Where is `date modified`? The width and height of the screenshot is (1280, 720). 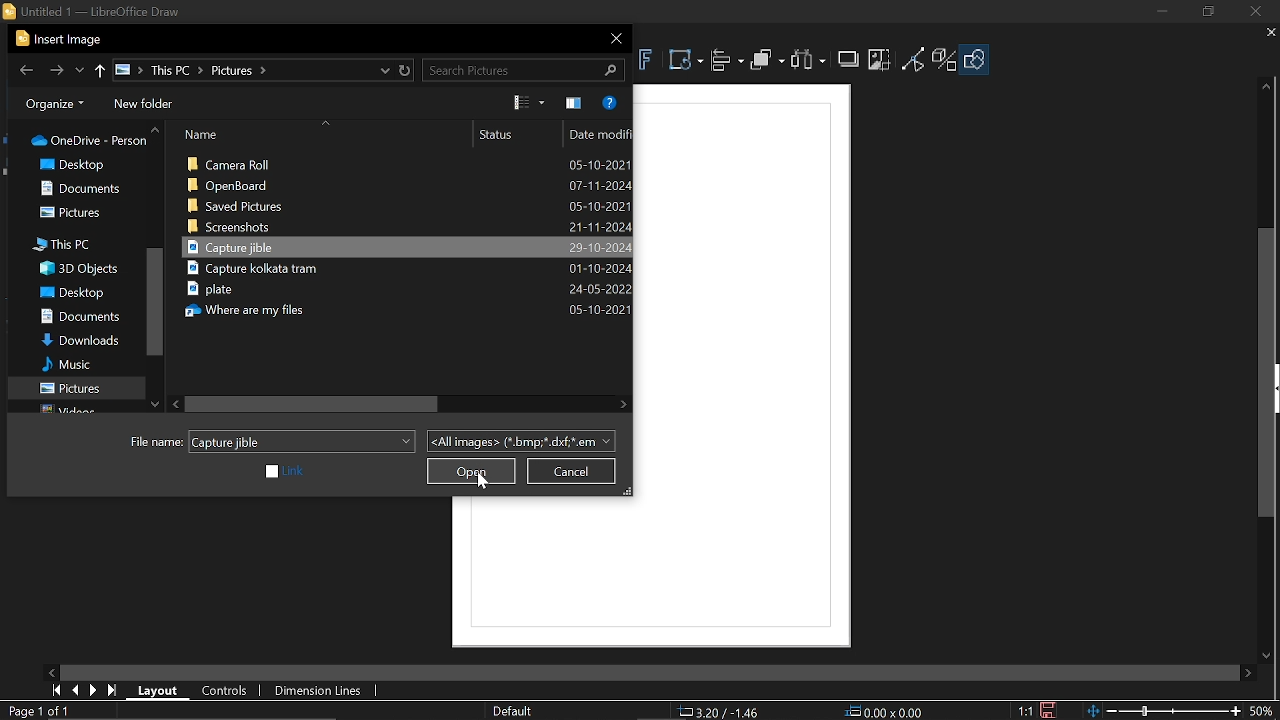
date modified is located at coordinates (599, 134).